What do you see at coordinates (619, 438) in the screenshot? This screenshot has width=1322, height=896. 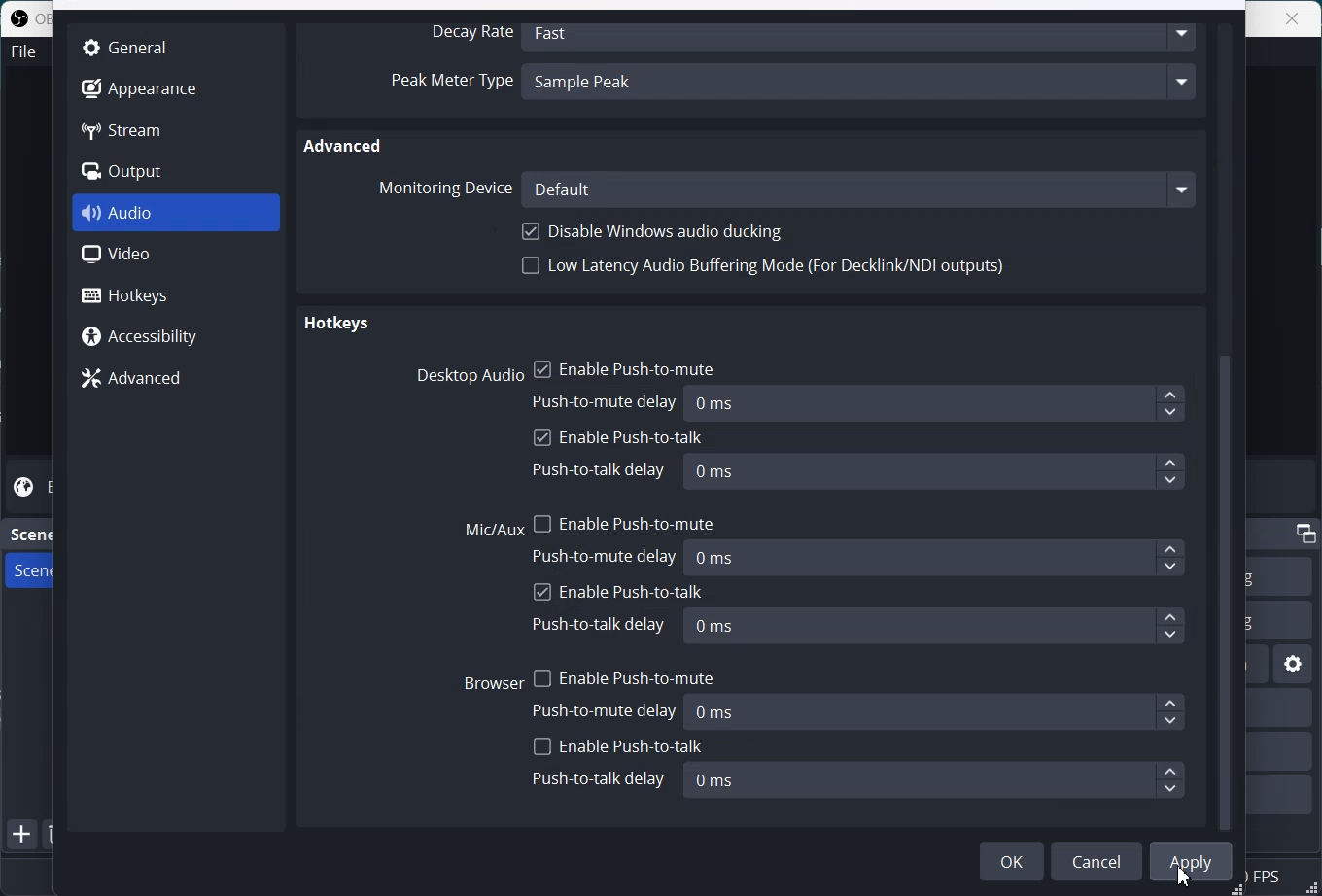 I see `Enable Push to talk` at bounding box center [619, 438].